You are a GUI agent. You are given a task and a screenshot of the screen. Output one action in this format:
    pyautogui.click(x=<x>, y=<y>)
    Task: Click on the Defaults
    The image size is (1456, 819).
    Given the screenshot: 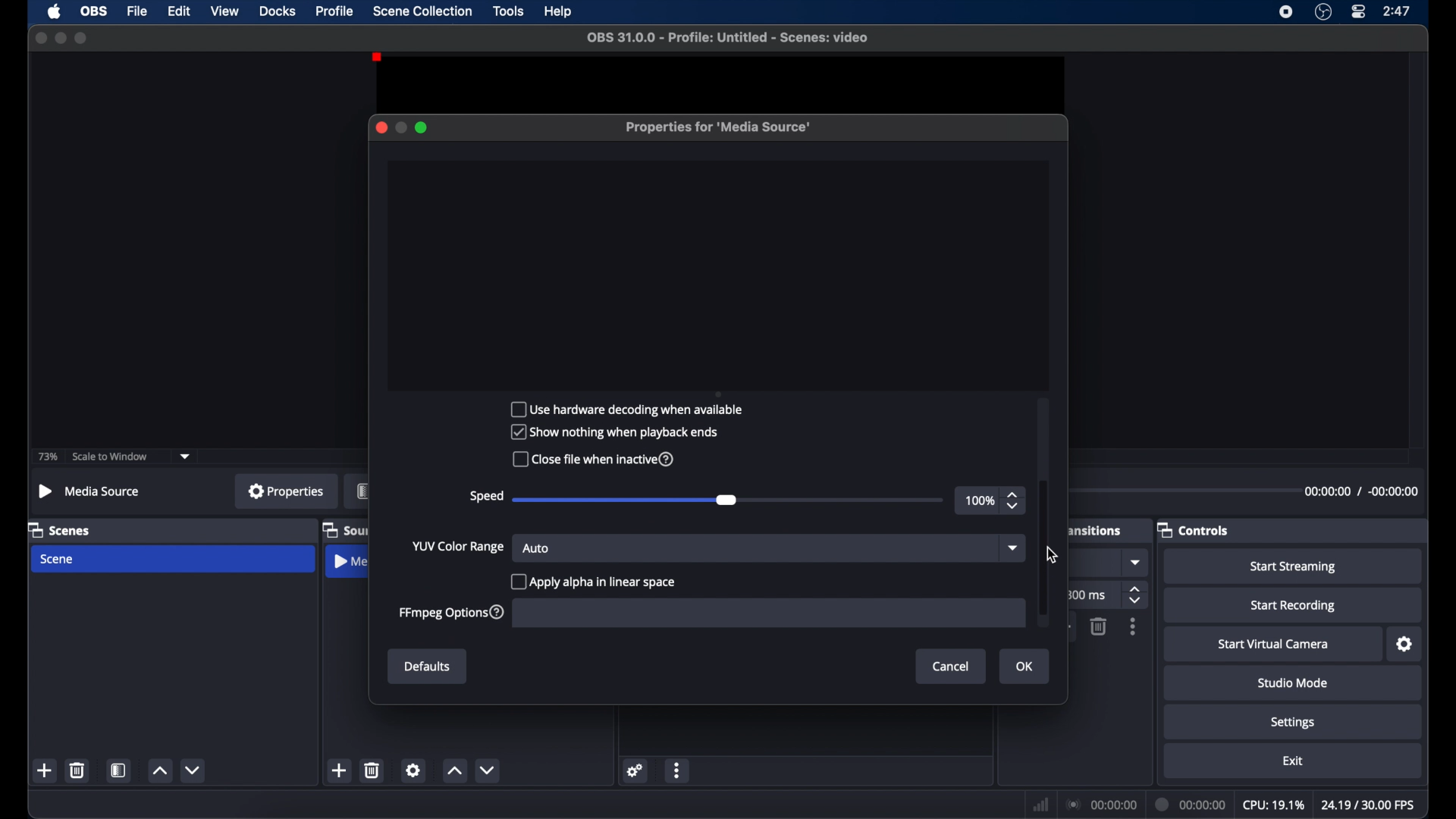 What is the action you would take?
    pyautogui.click(x=428, y=667)
    